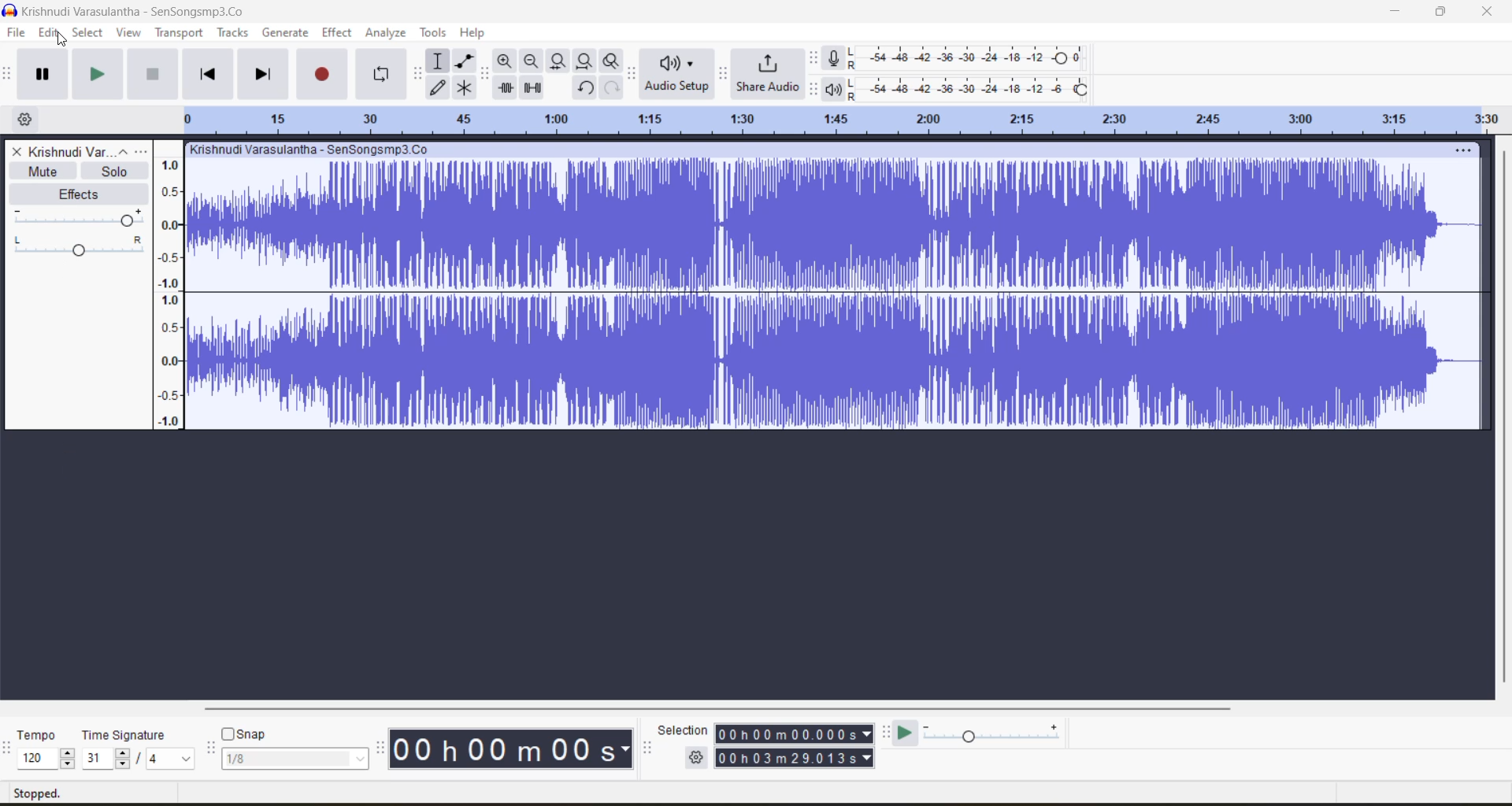 The image size is (1512, 806). What do you see at coordinates (438, 60) in the screenshot?
I see `selection tool` at bounding box center [438, 60].